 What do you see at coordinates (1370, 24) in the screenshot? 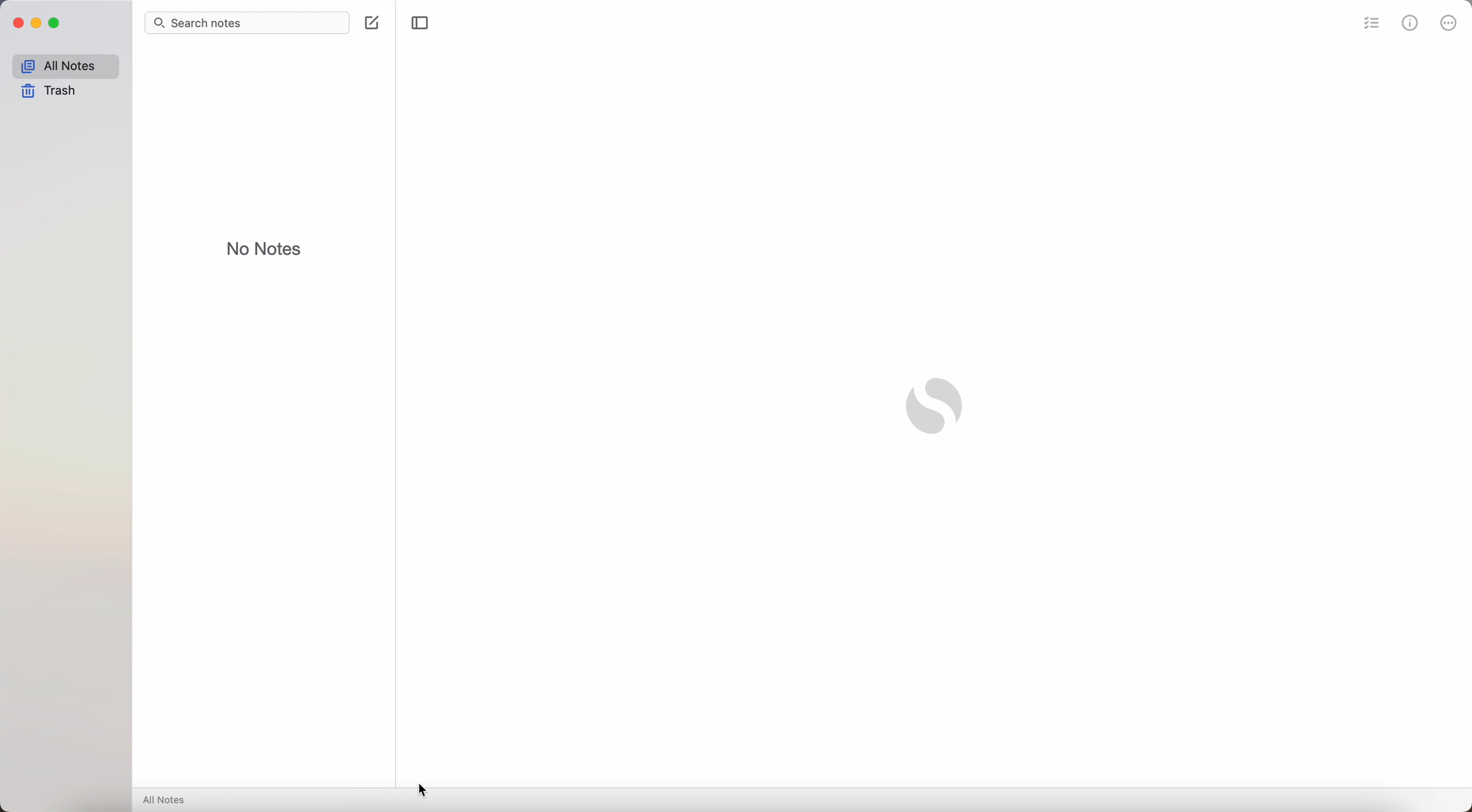
I see `check list` at bounding box center [1370, 24].